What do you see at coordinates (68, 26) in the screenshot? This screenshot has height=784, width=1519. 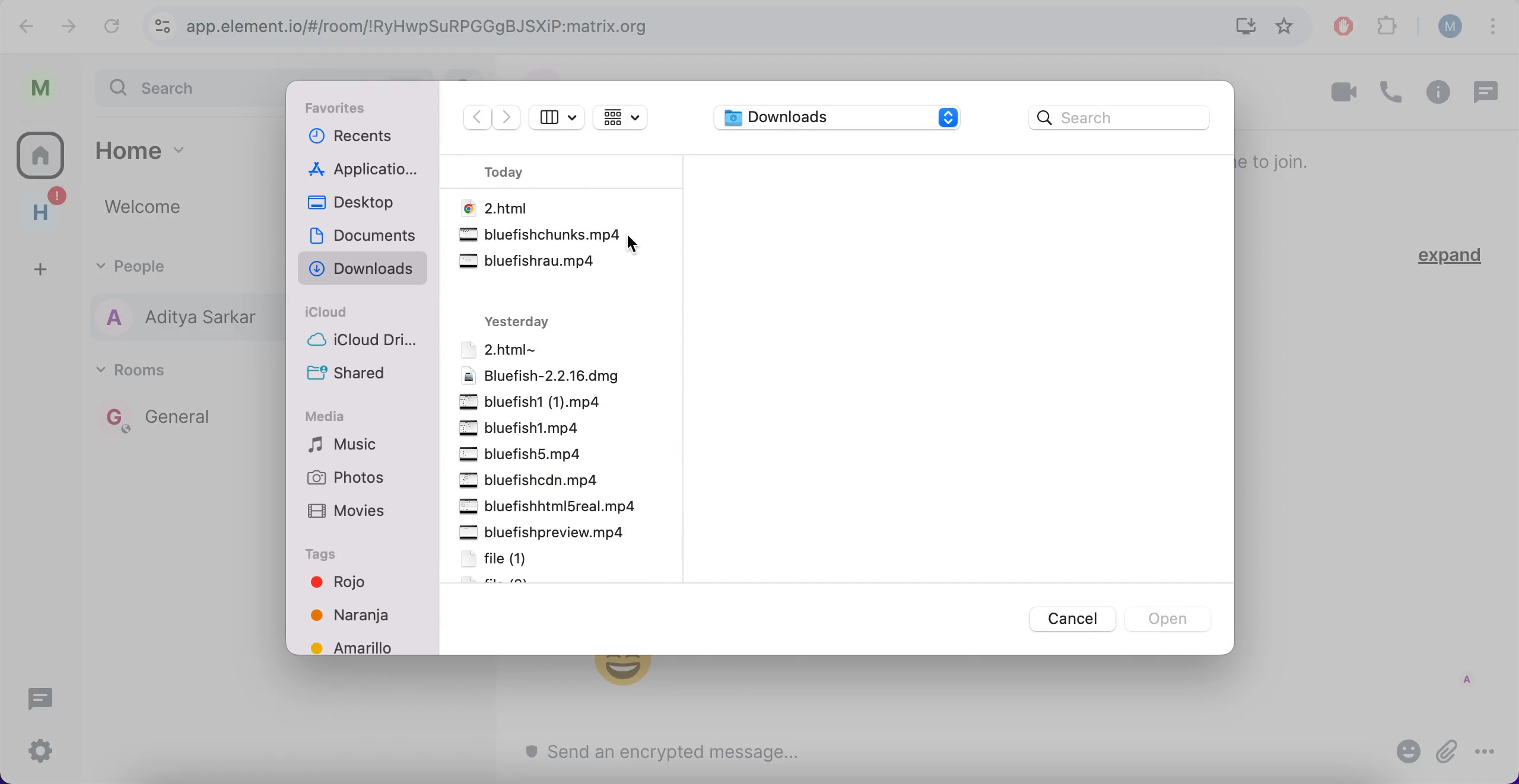 I see `forward` at bounding box center [68, 26].